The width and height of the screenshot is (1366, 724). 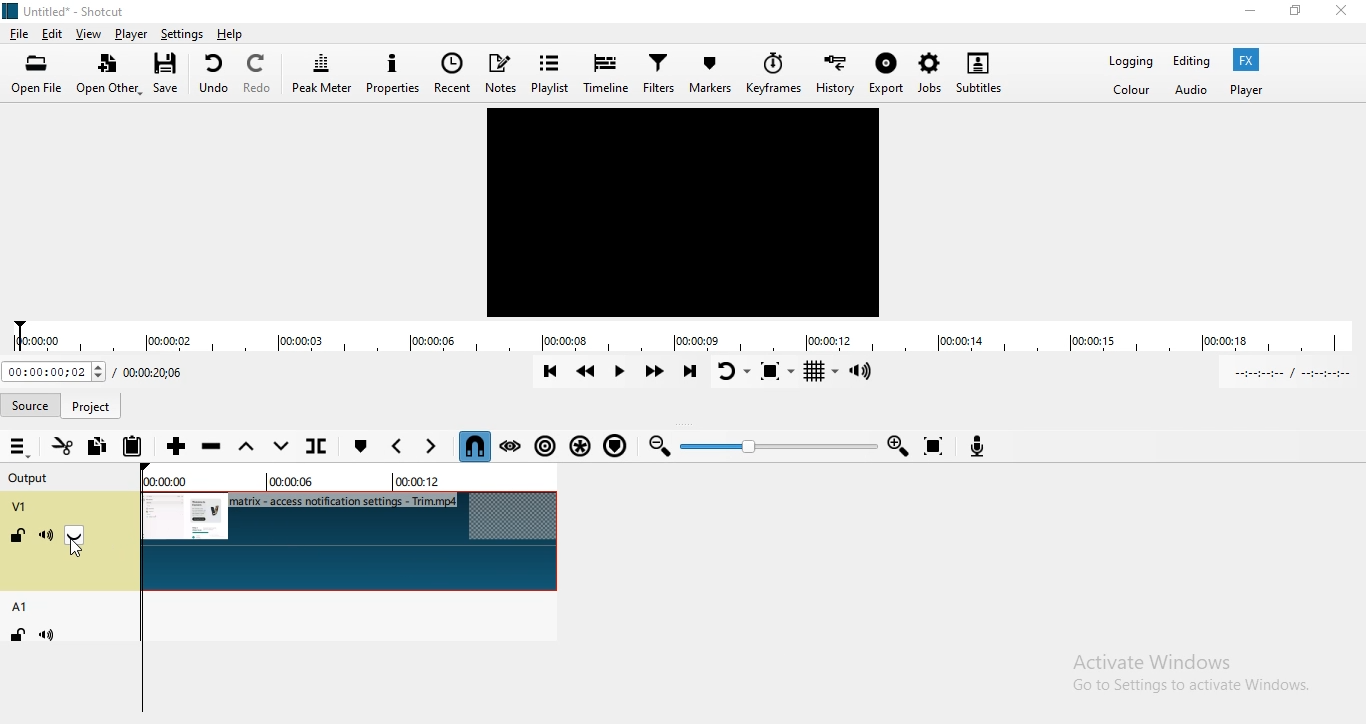 I want to click on Edit, so click(x=54, y=34).